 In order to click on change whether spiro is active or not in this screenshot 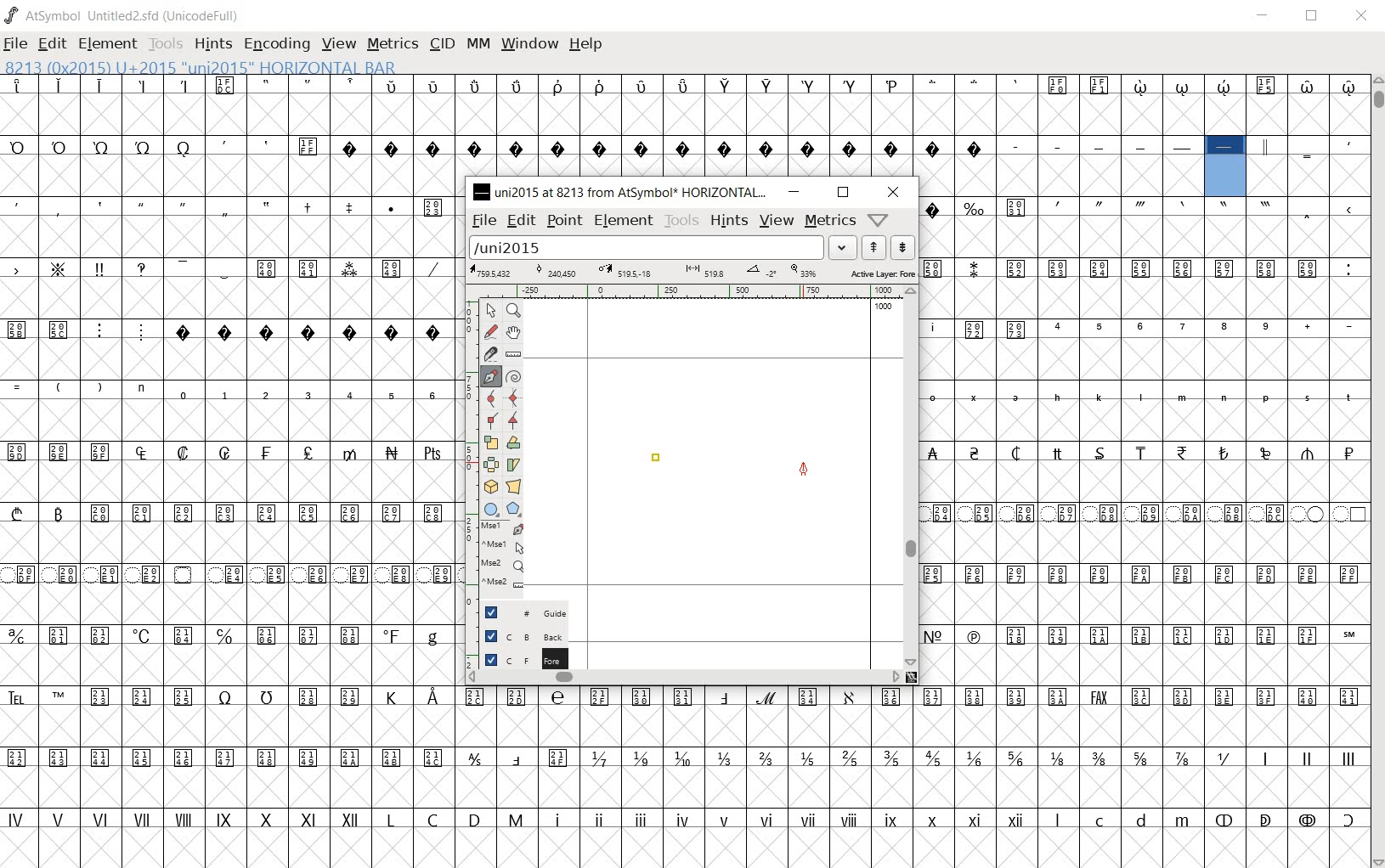, I will do `click(515, 377)`.